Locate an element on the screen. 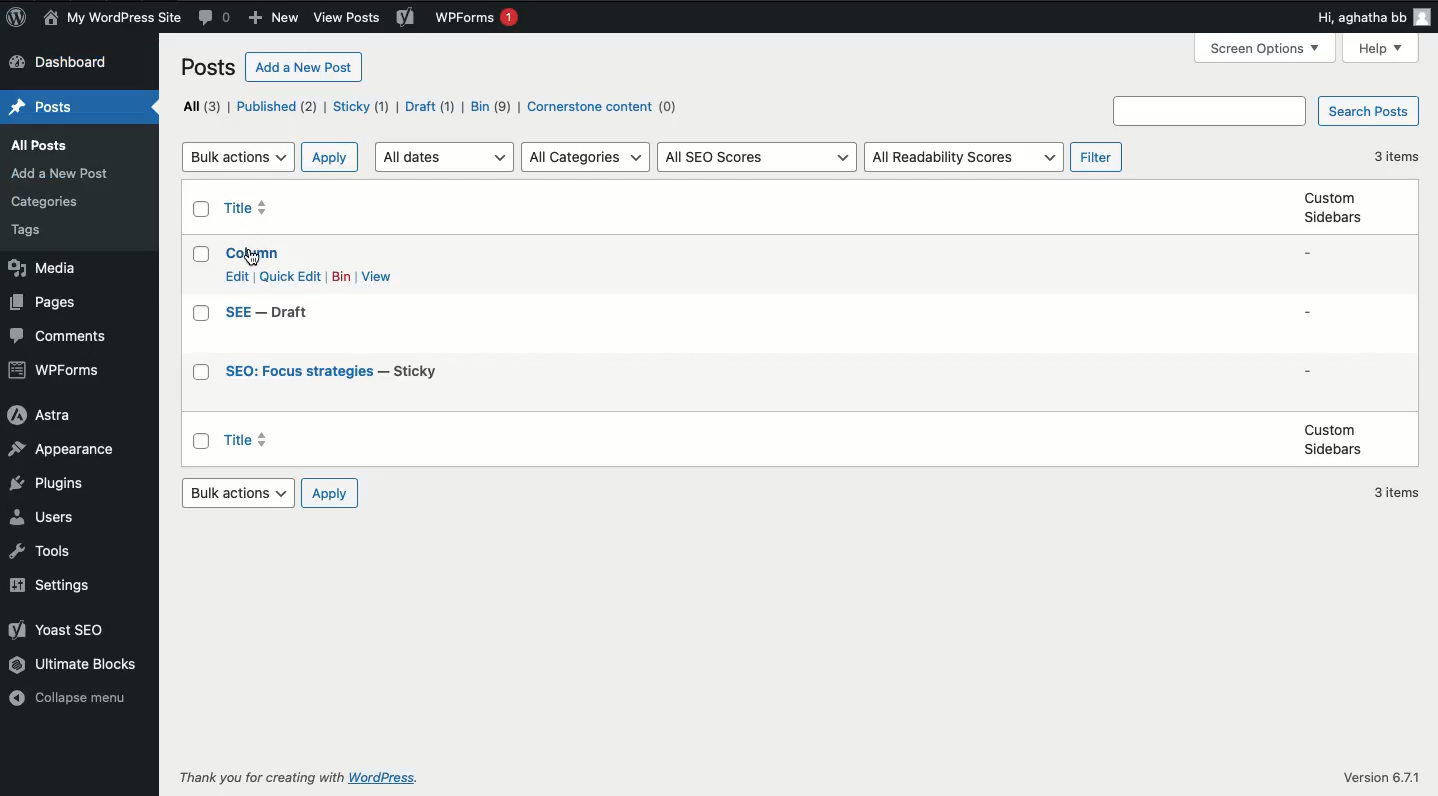 This screenshot has height=796, width=1438. Posts is located at coordinates (39, 102).